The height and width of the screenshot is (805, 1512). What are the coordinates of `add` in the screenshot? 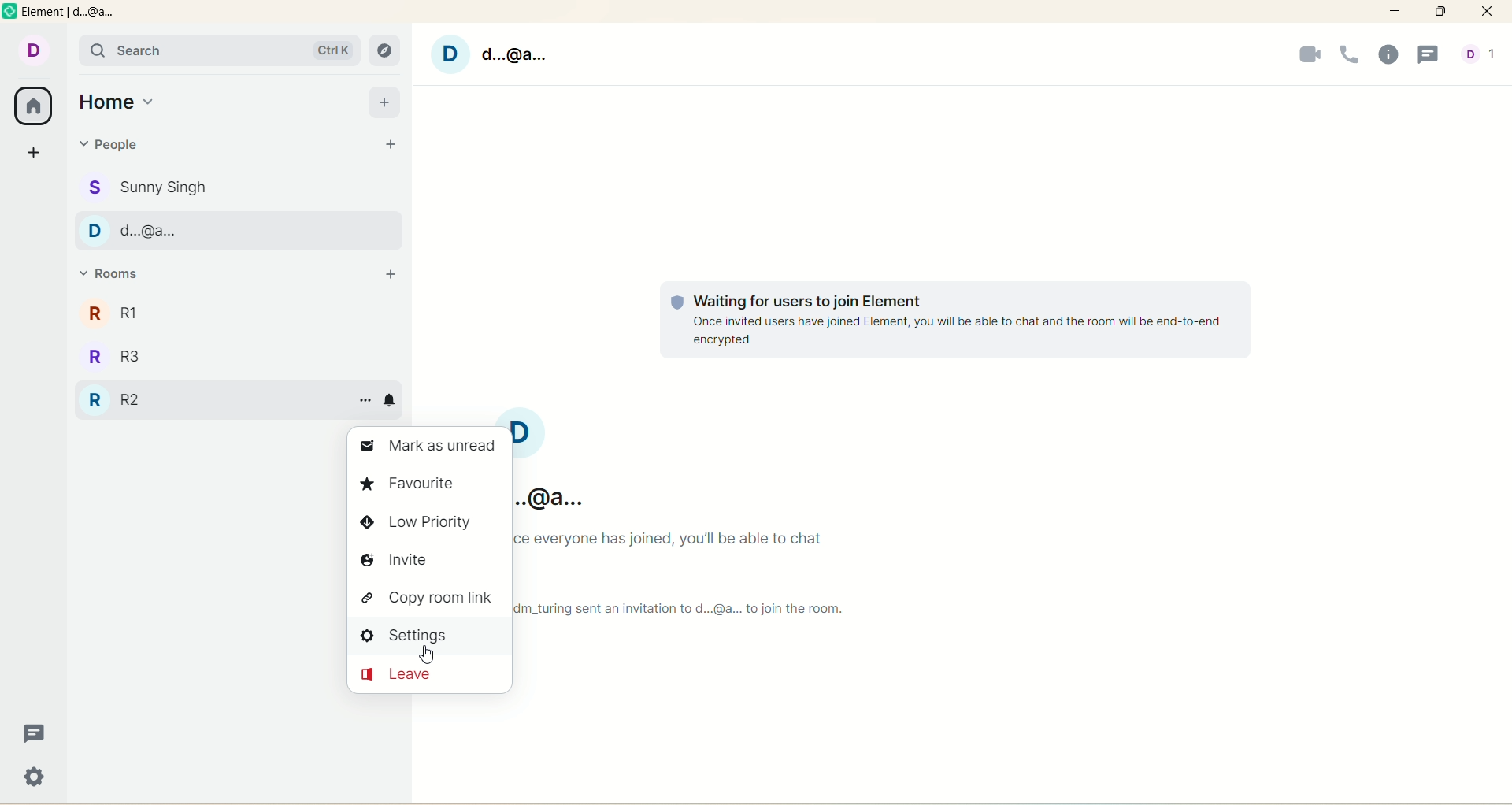 It's located at (391, 275).